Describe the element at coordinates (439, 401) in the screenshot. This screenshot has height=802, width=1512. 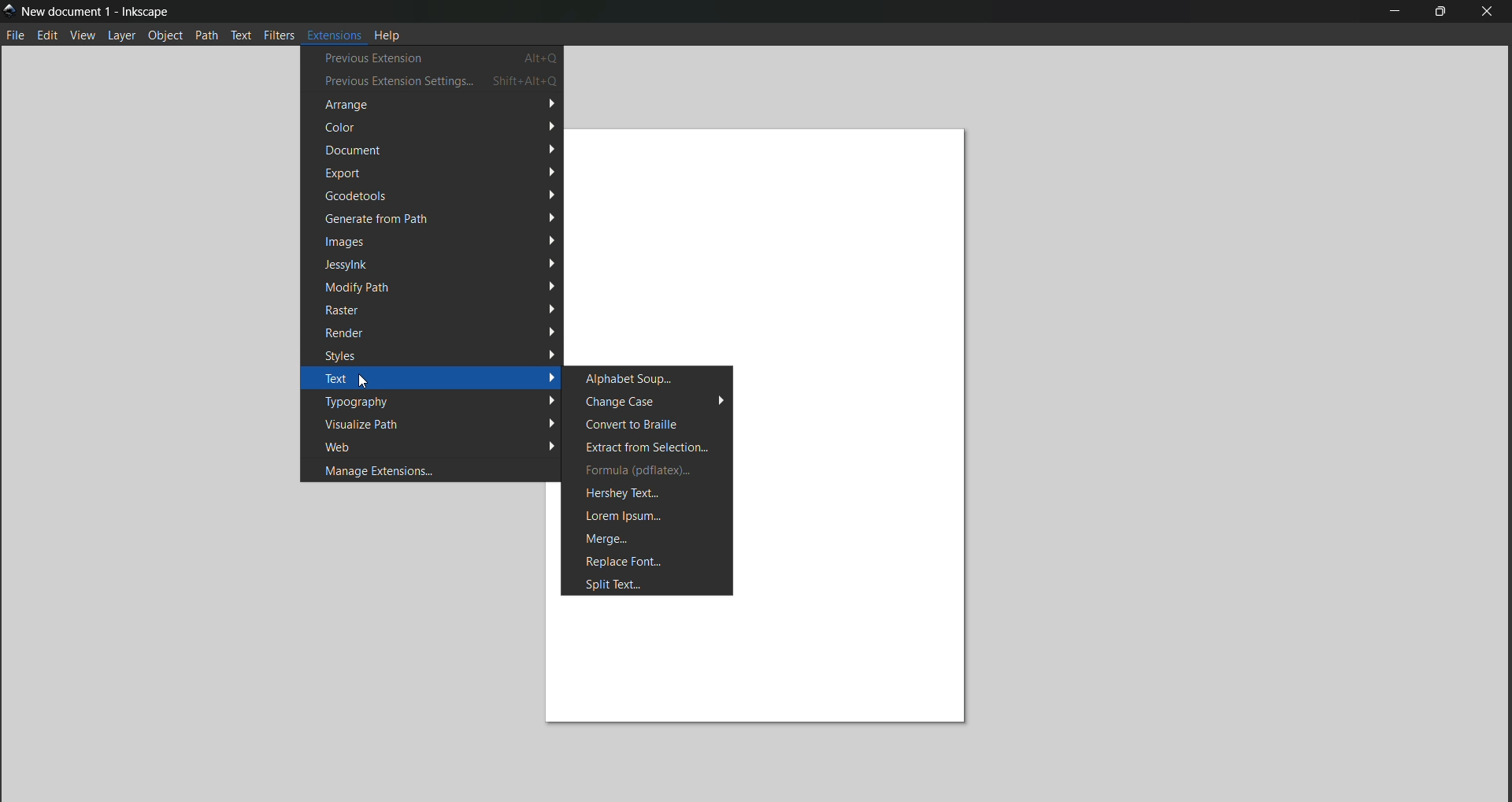
I see `typography` at that location.